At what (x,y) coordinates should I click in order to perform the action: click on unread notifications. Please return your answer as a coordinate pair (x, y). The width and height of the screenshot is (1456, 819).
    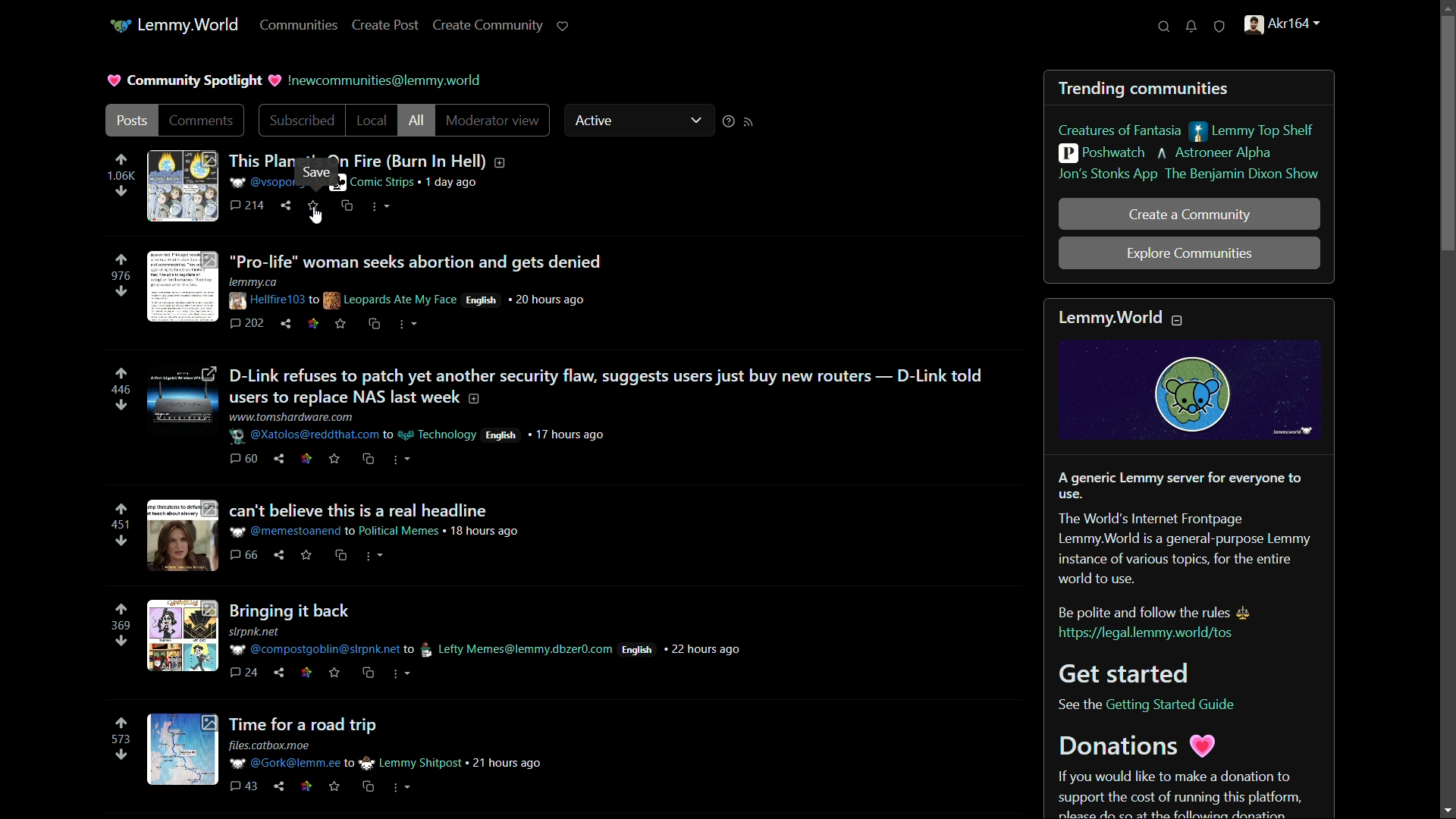
    Looking at the image, I should click on (1193, 27).